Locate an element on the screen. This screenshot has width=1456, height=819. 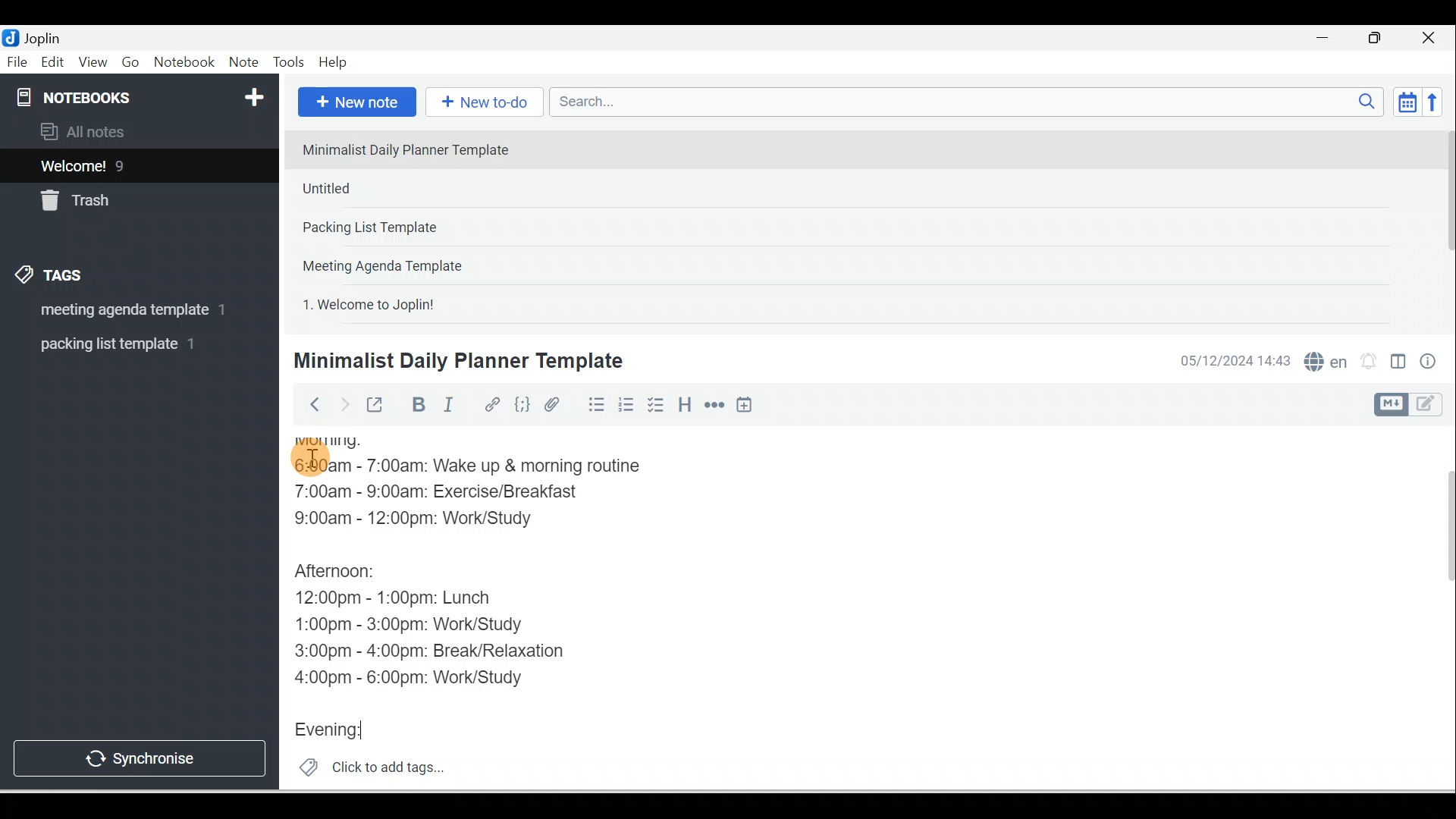
Tag 1 is located at coordinates (119, 311).